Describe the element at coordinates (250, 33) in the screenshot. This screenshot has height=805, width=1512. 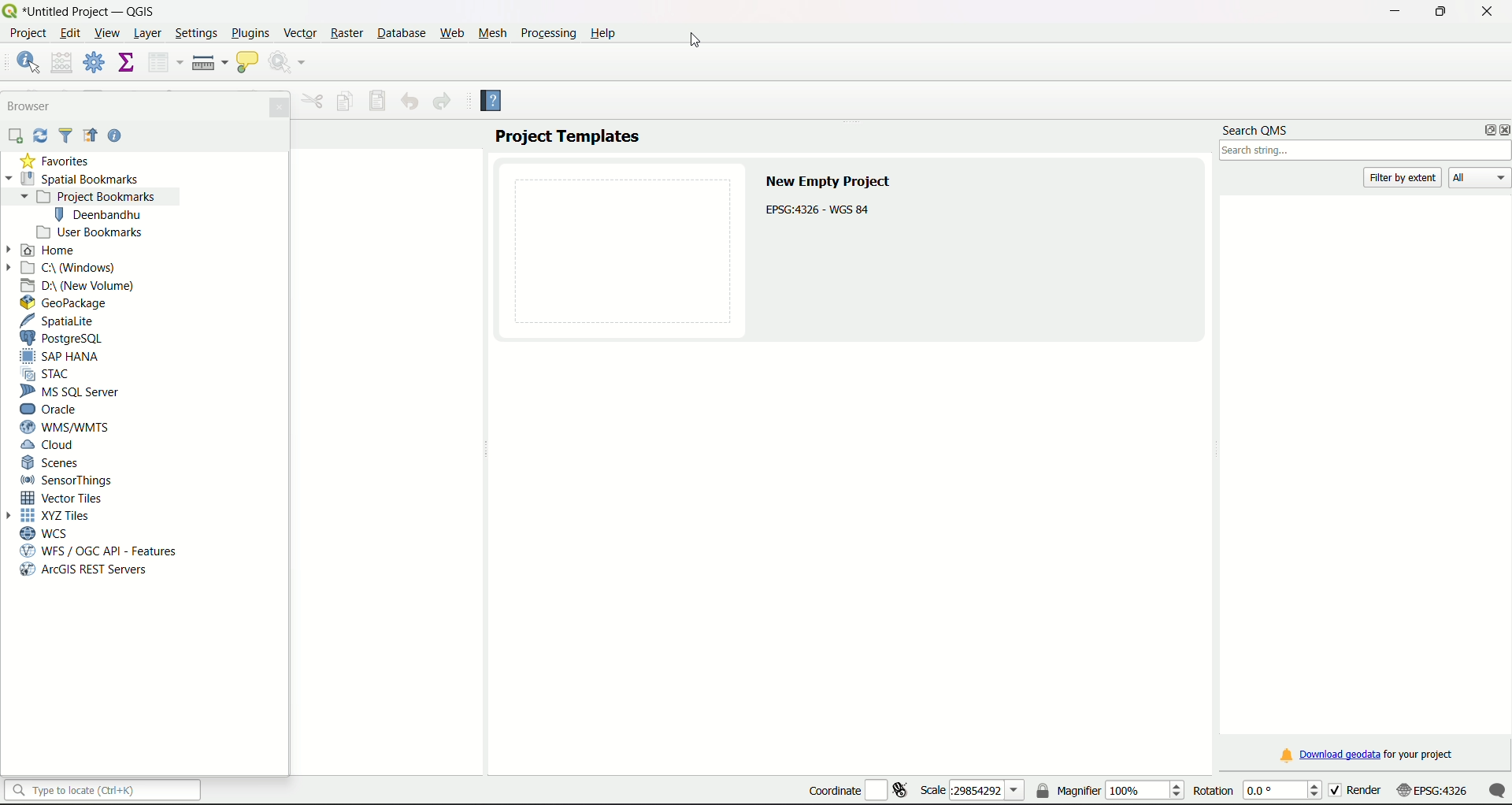
I see `Plugins` at that location.